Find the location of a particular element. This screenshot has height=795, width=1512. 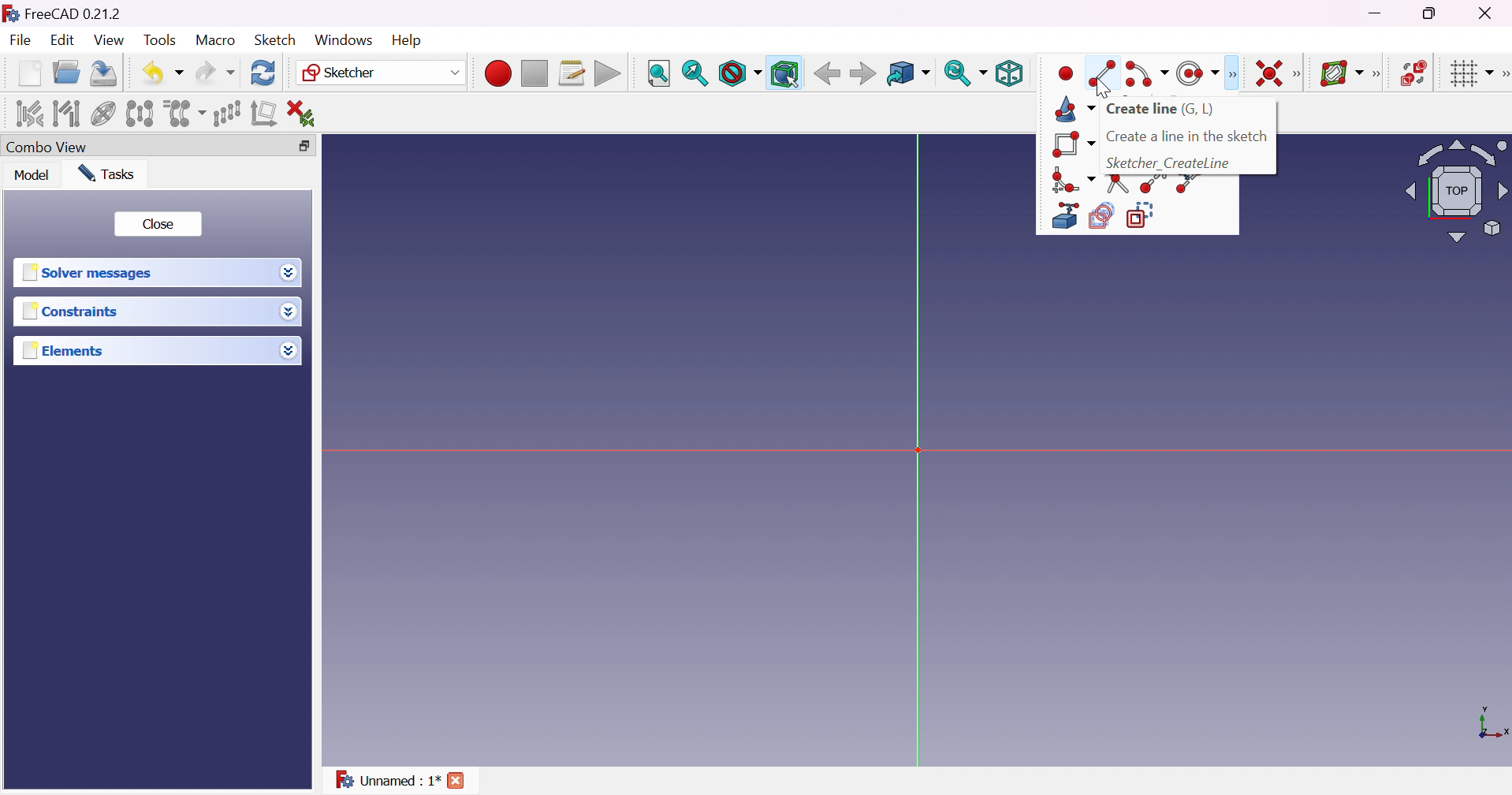

Model is located at coordinates (32, 176).